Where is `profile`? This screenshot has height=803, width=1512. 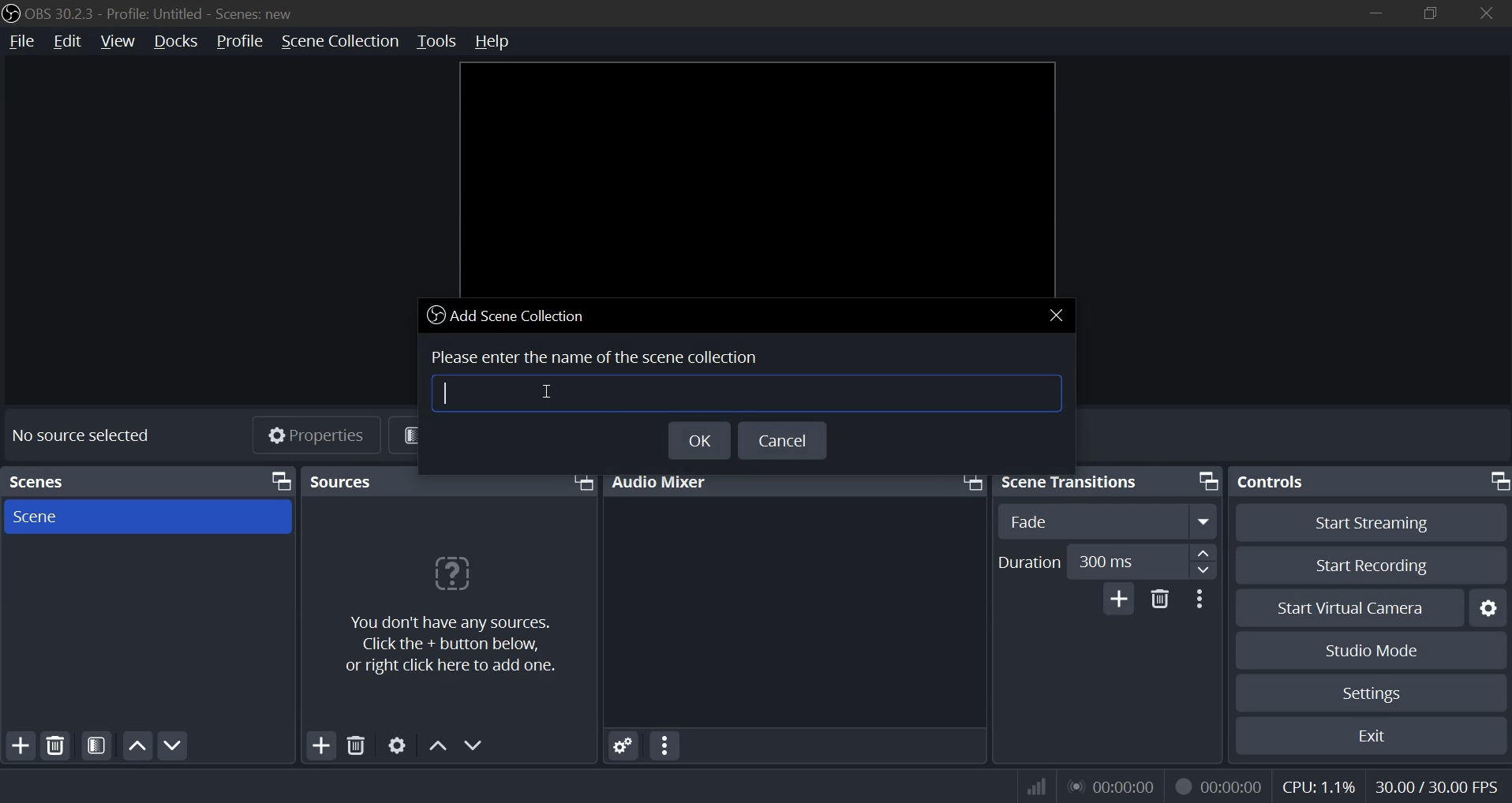
profile is located at coordinates (238, 42).